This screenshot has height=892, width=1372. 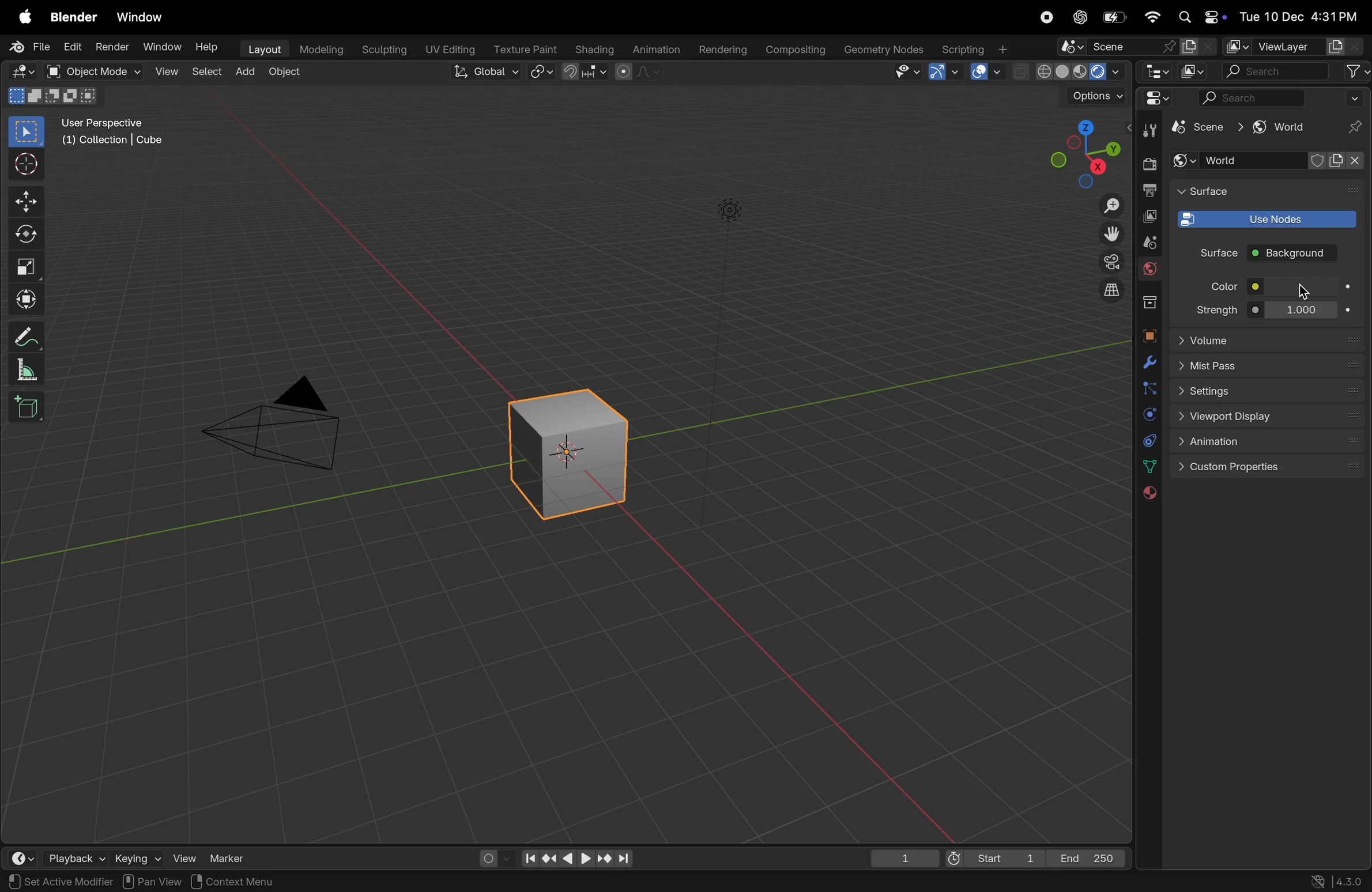 What do you see at coordinates (1069, 71) in the screenshot?
I see `view port shading` at bounding box center [1069, 71].